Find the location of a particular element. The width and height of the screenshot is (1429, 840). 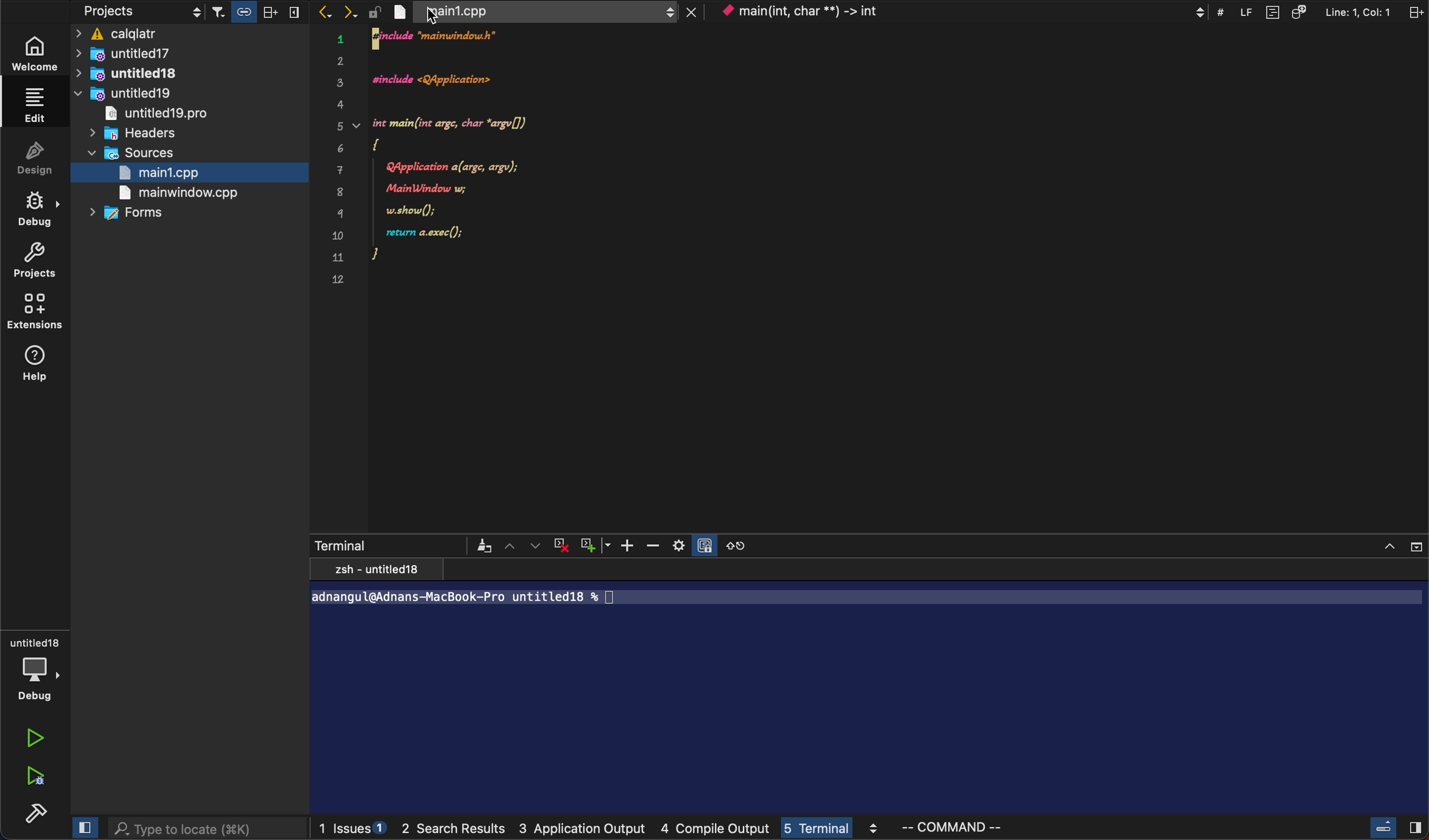

plus is located at coordinates (597, 545).